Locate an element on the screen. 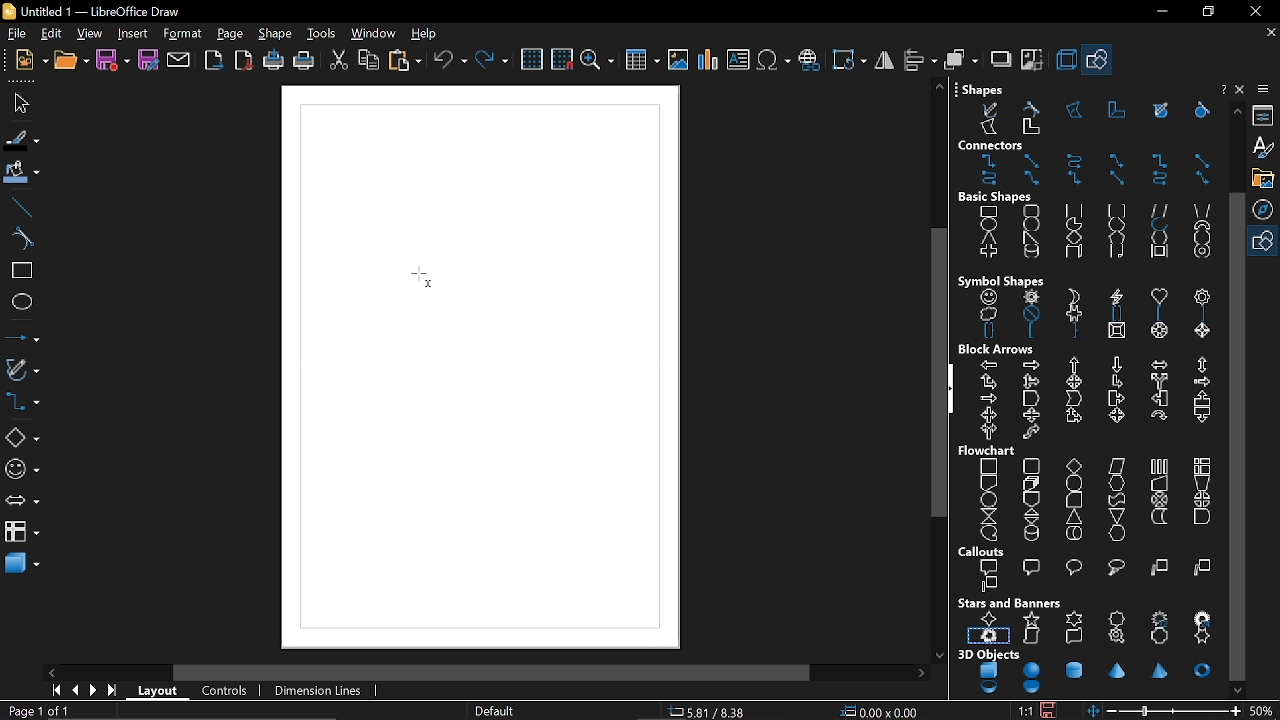 The height and width of the screenshot is (720, 1280). block arrows is located at coordinates (1090, 392).